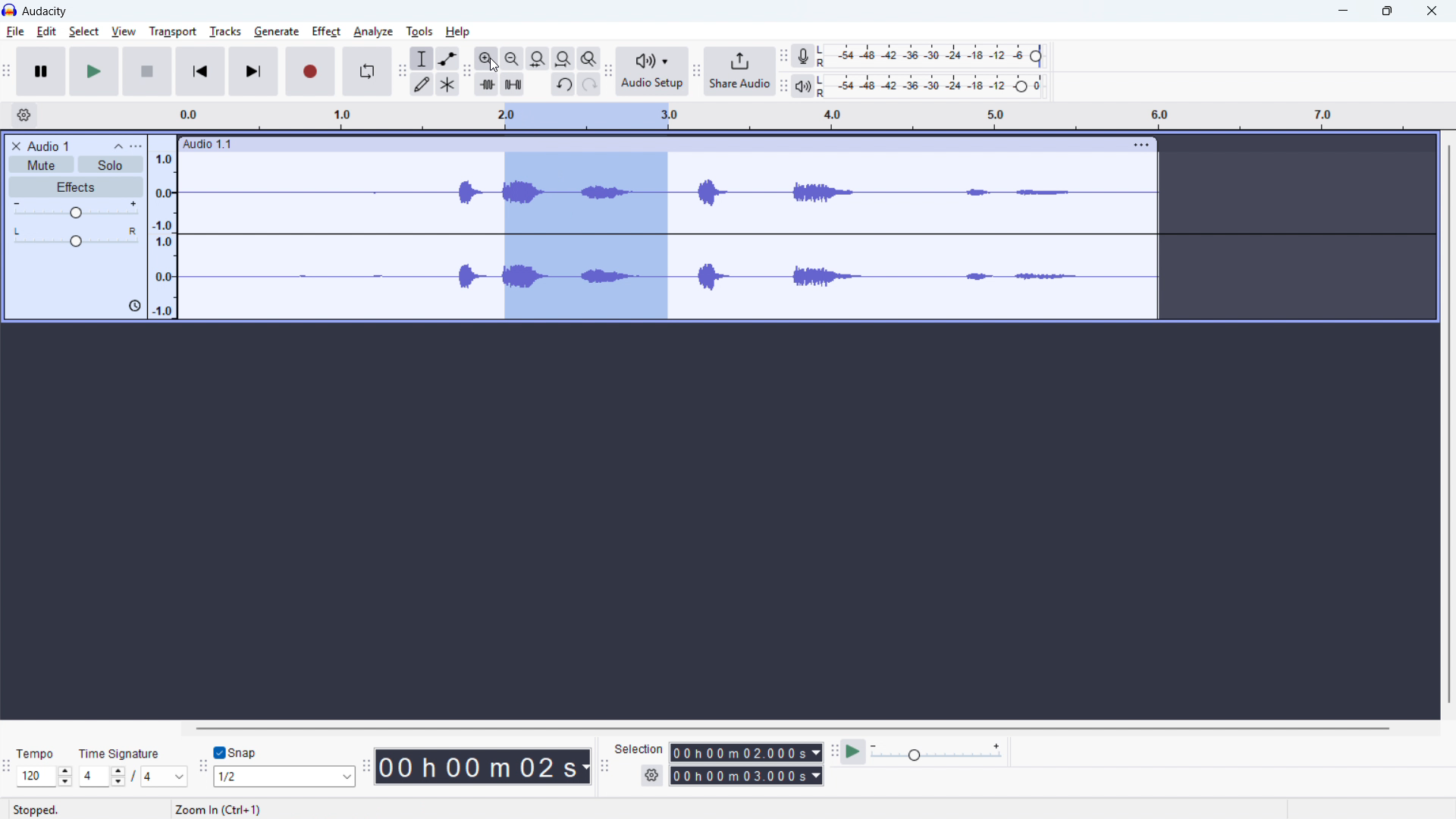 This screenshot has height=819, width=1456. I want to click on Stop, so click(146, 72).